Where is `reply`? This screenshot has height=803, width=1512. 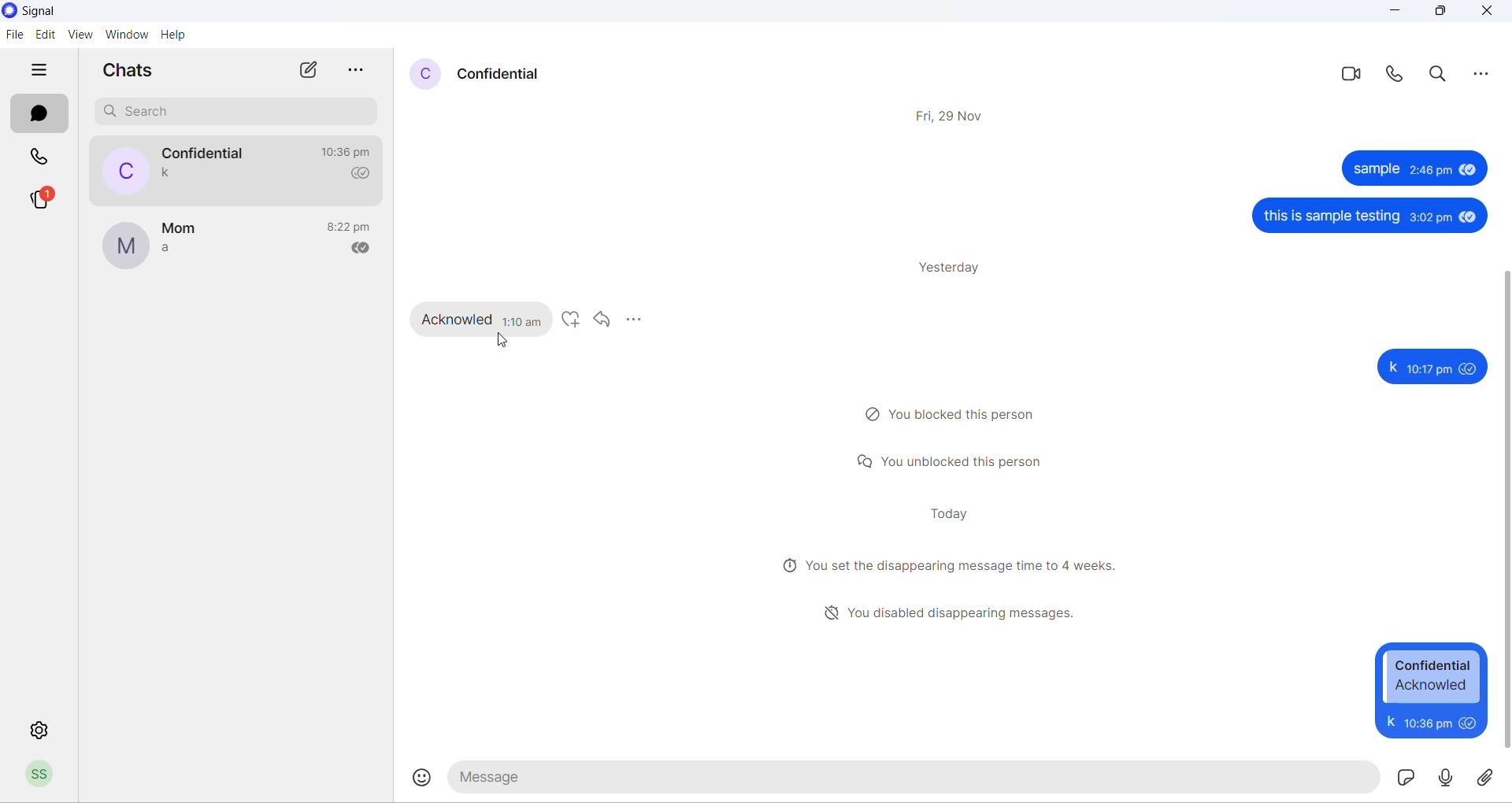 reply is located at coordinates (602, 319).